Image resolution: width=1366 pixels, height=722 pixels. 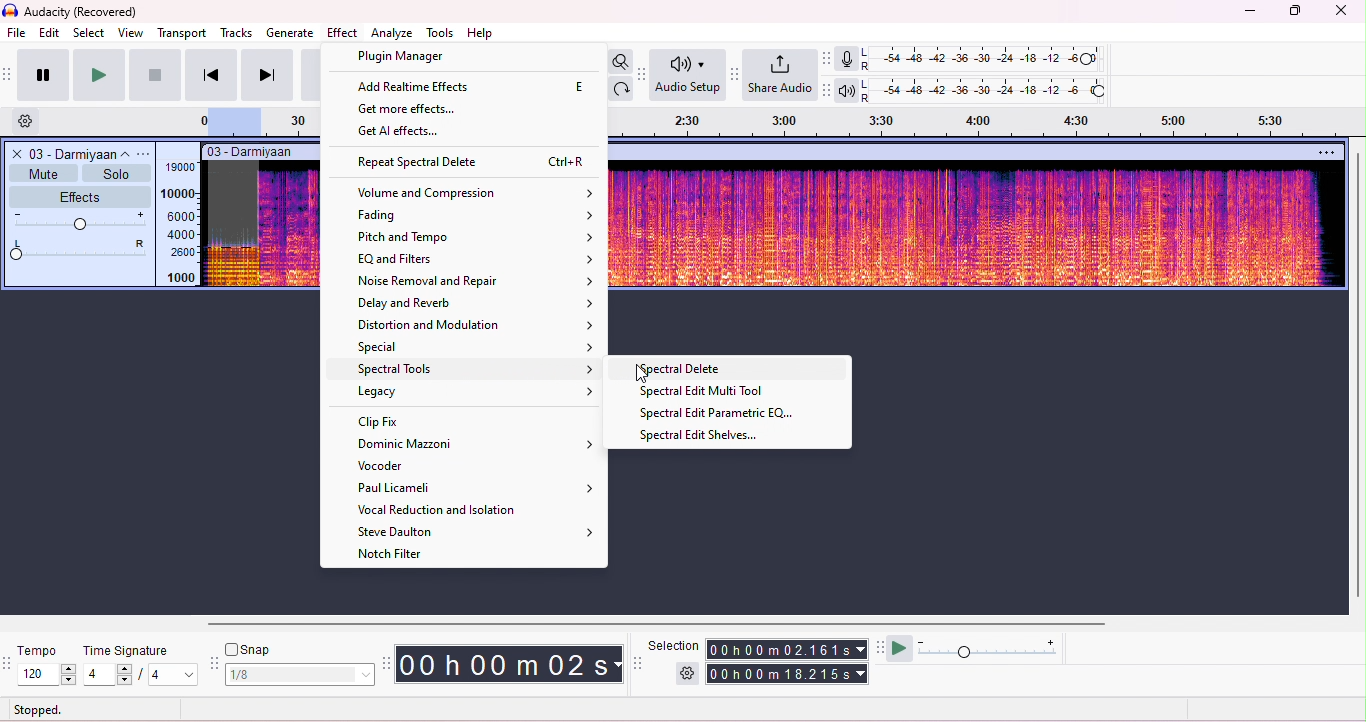 What do you see at coordinates (1357, 376) in the screenshot?
I see `vertical scroll bar` at bounding box center [1357, 376].